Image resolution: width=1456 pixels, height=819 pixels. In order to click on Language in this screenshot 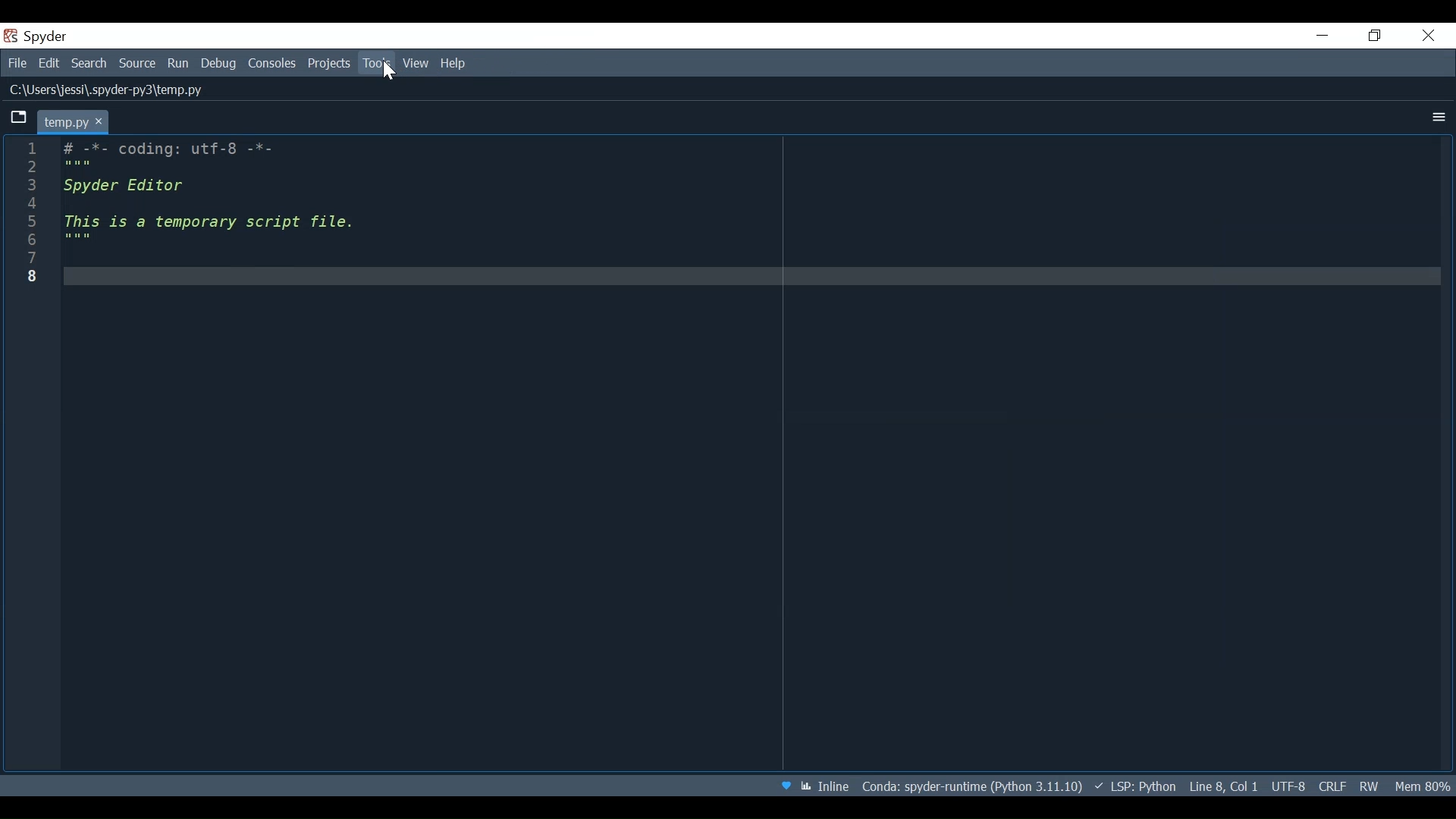, I will do `click(1180, 787)`.